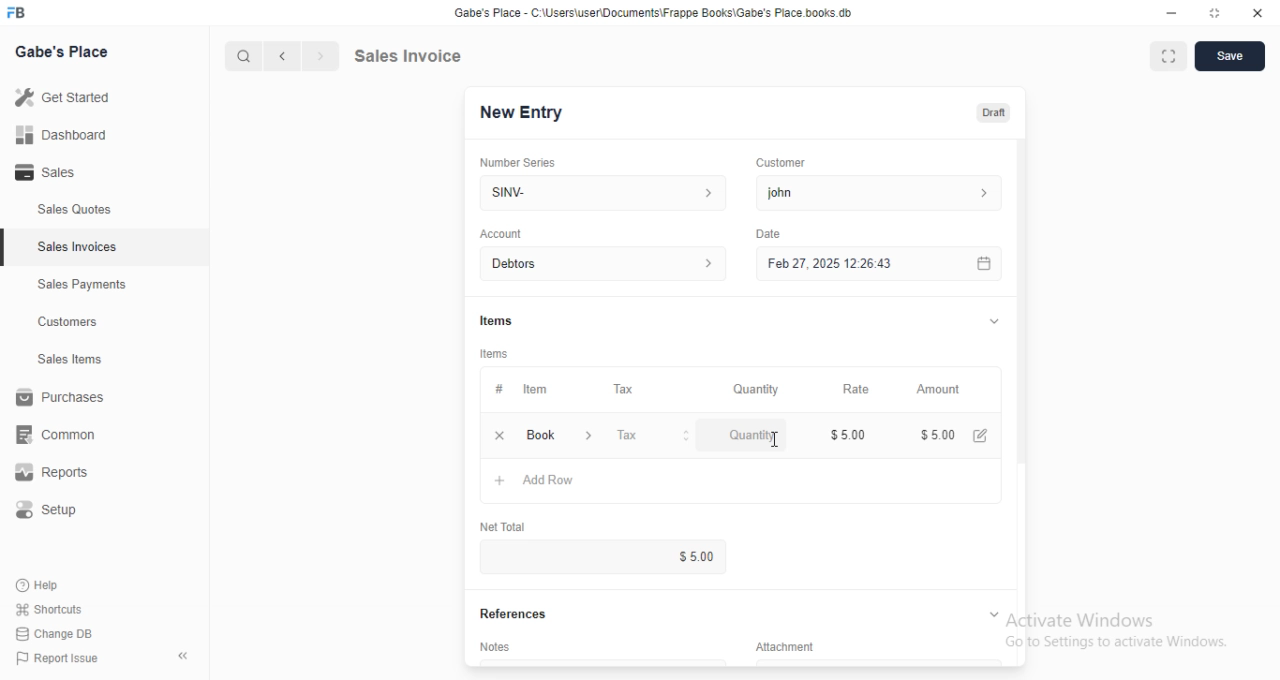  What do you see at coordinates (48, 171) in the screenshot?
I see `Sales` at bounding box center [48, 171].